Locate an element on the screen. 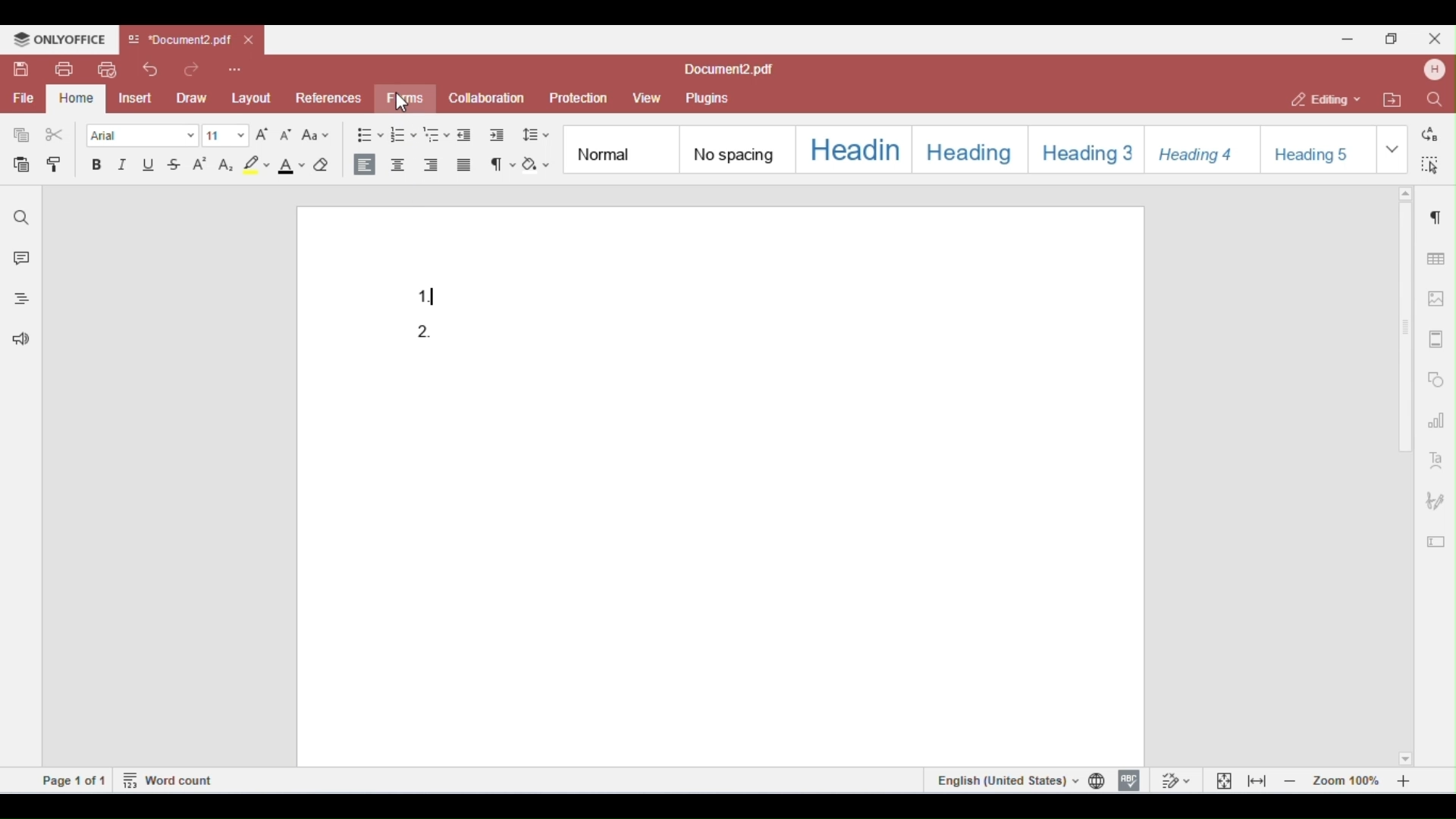  1. is located at coordinates (437, 294).